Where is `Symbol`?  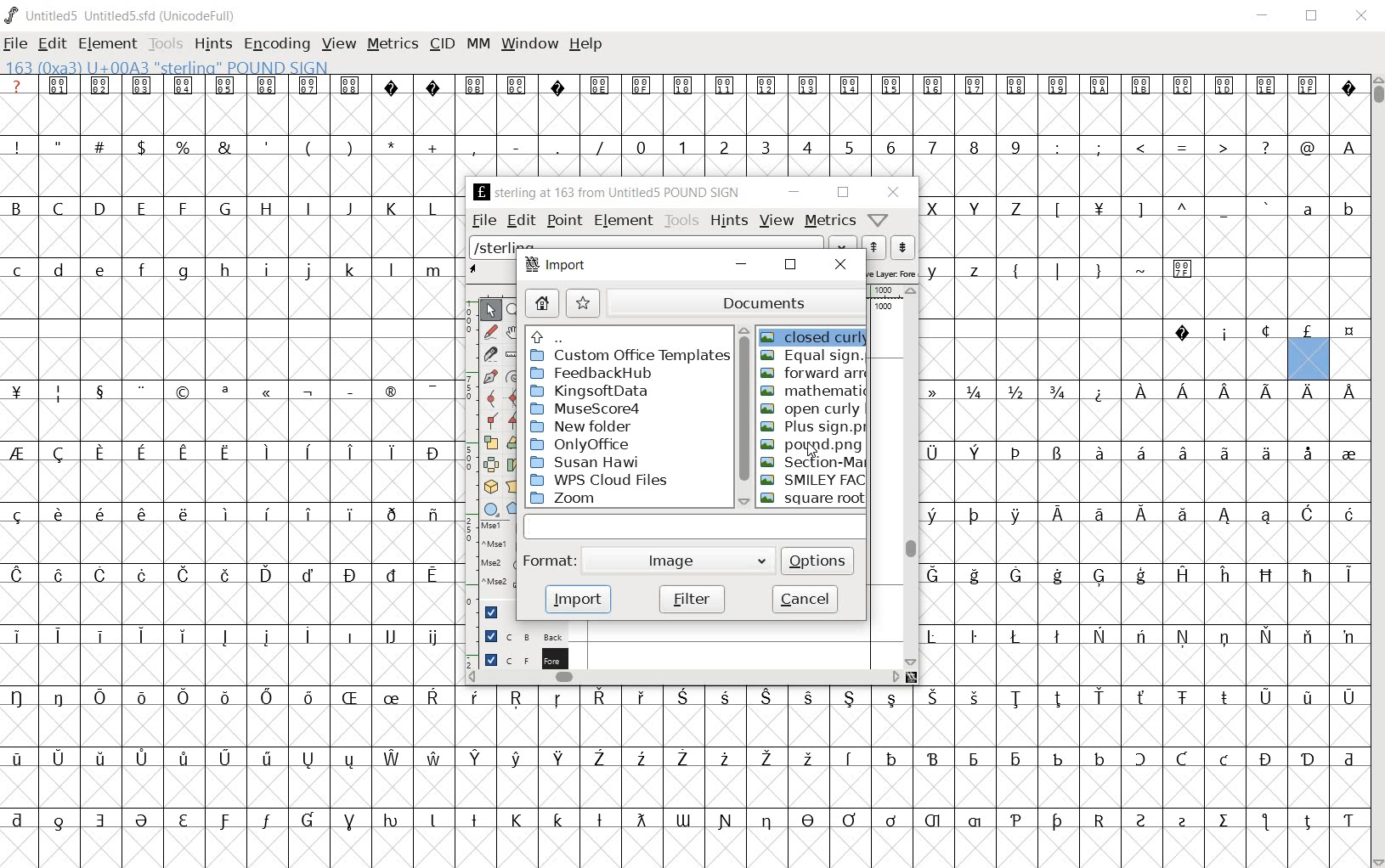 Symbol is located at coordinates (56, 516).